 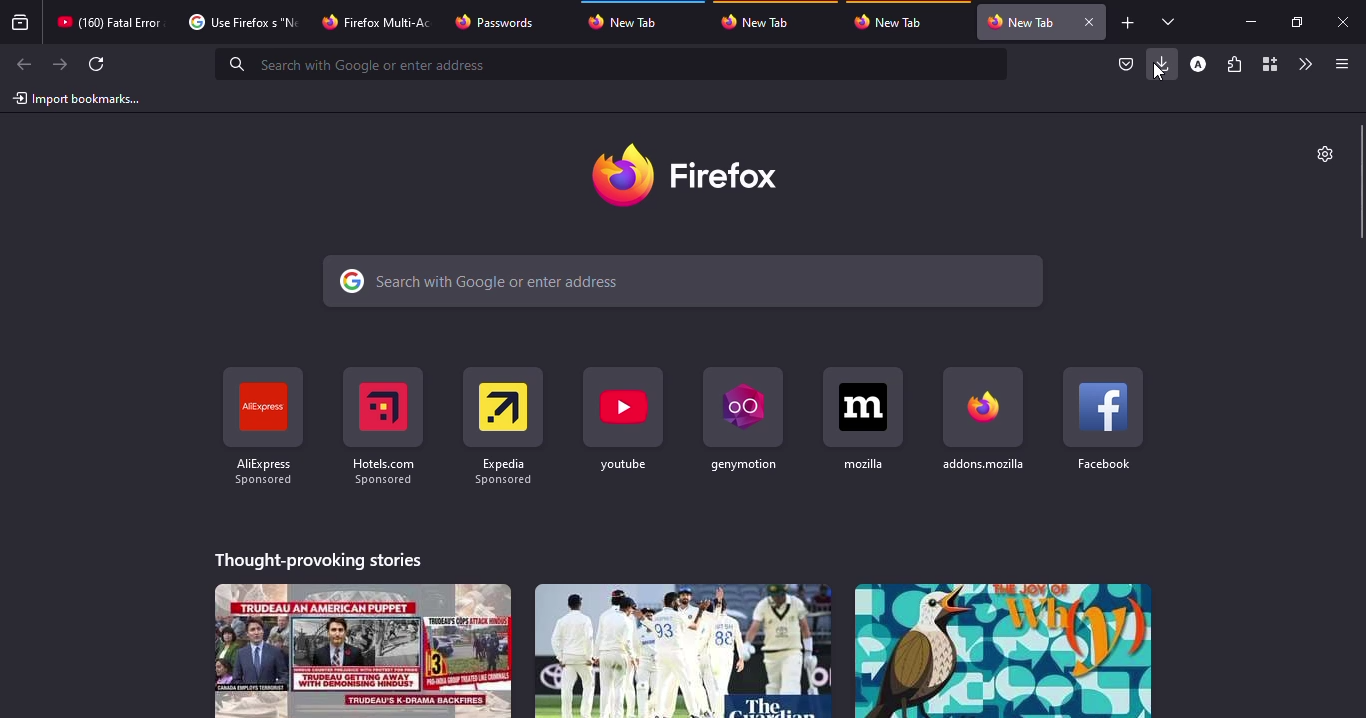 I want to click on tab, so click(x=761, y=21).